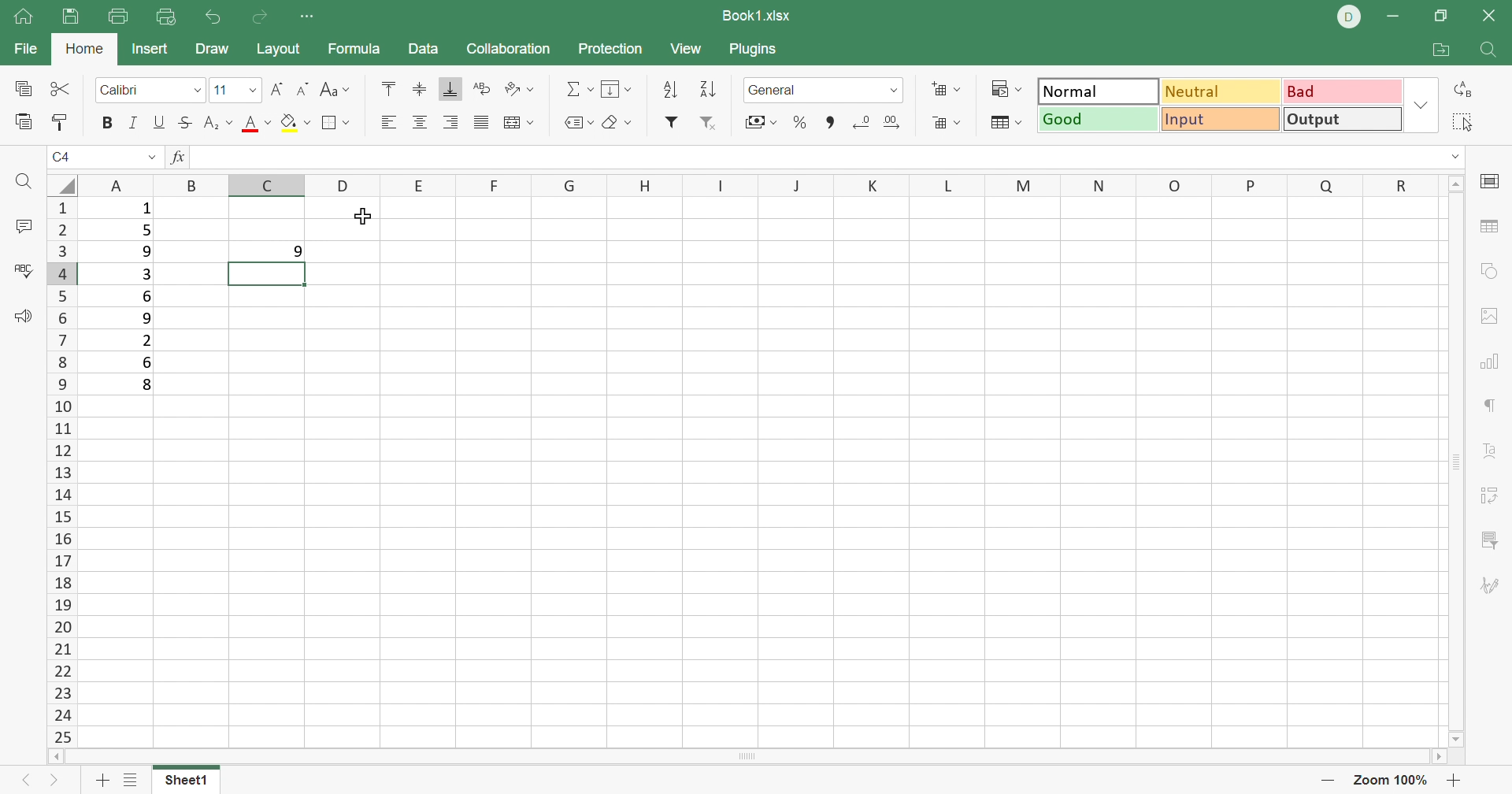 This screenshot has height=794, width=1512. What do you see at coordinates (211, 16) in the screenshot?
I see `Undo` at bounding box center [211, 16].